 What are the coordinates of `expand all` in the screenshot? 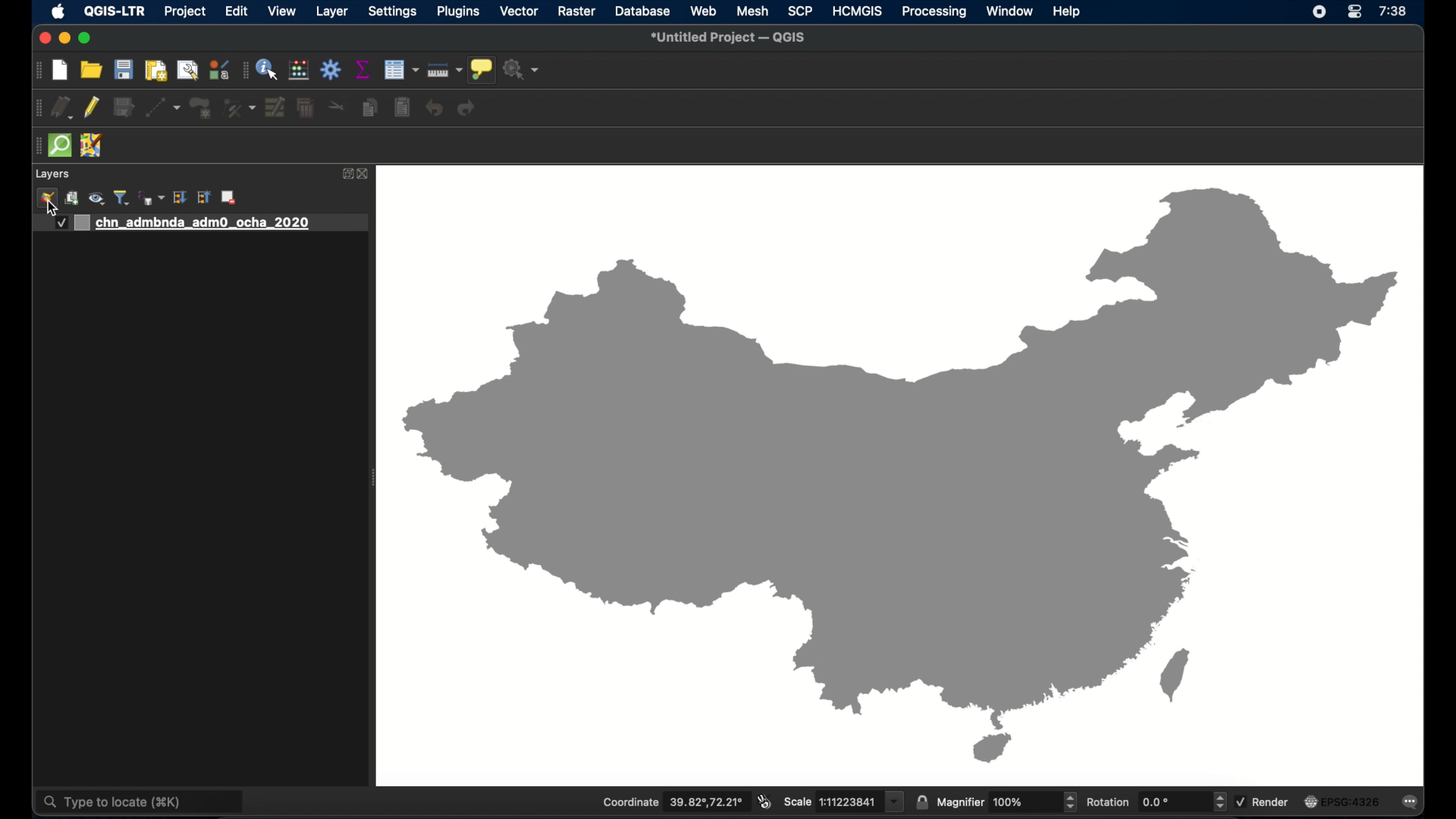 It's located at (180, 199).